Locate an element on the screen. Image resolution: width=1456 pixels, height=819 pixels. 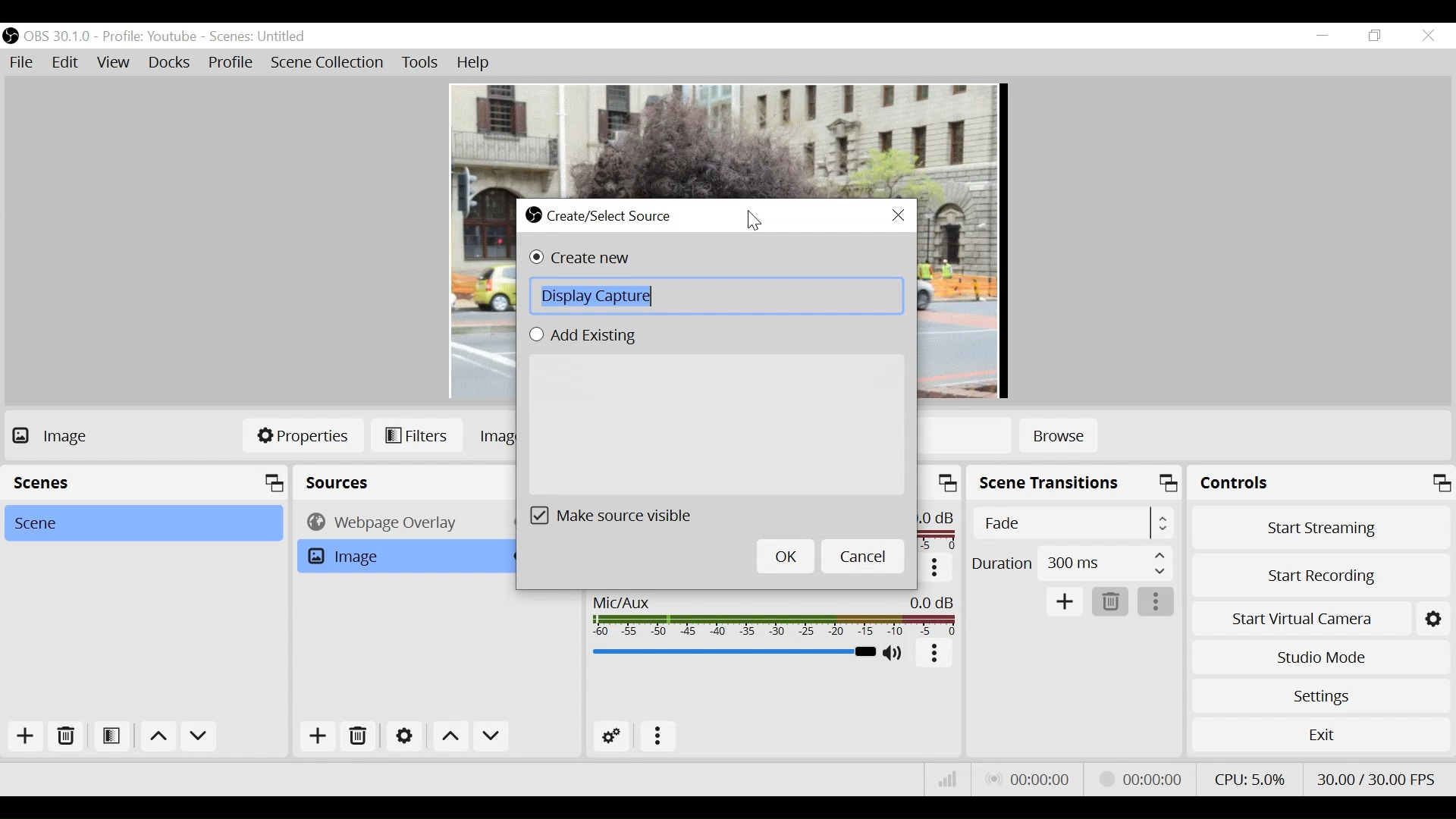
Mic/Audio is located at coordinates (773, 615).